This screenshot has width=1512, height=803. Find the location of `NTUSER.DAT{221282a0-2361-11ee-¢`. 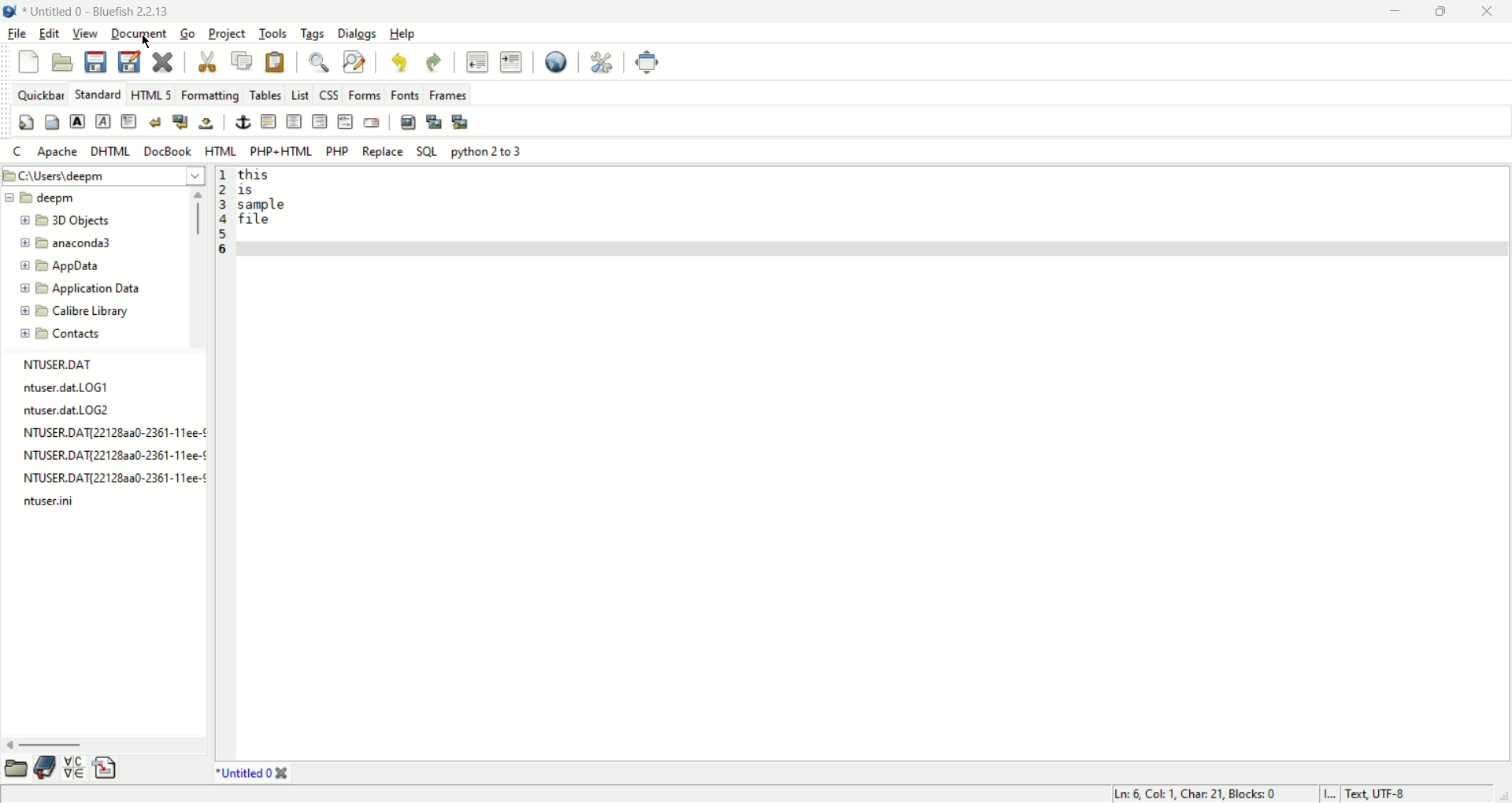

NTUSER.DAT{221282a0-2361-11ee-¢ is located at coordinates (111, 479).